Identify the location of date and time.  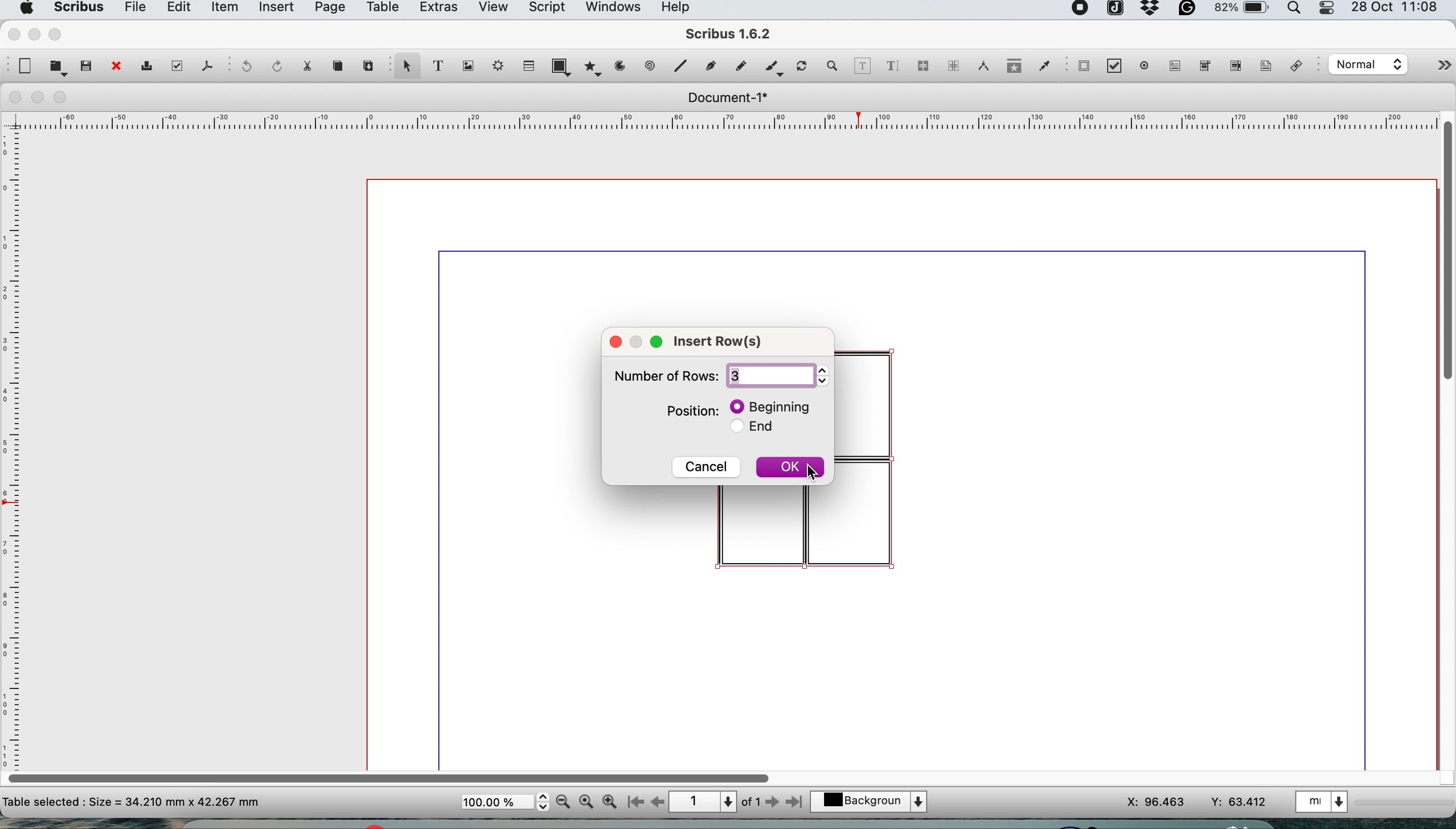
(1397, 9).